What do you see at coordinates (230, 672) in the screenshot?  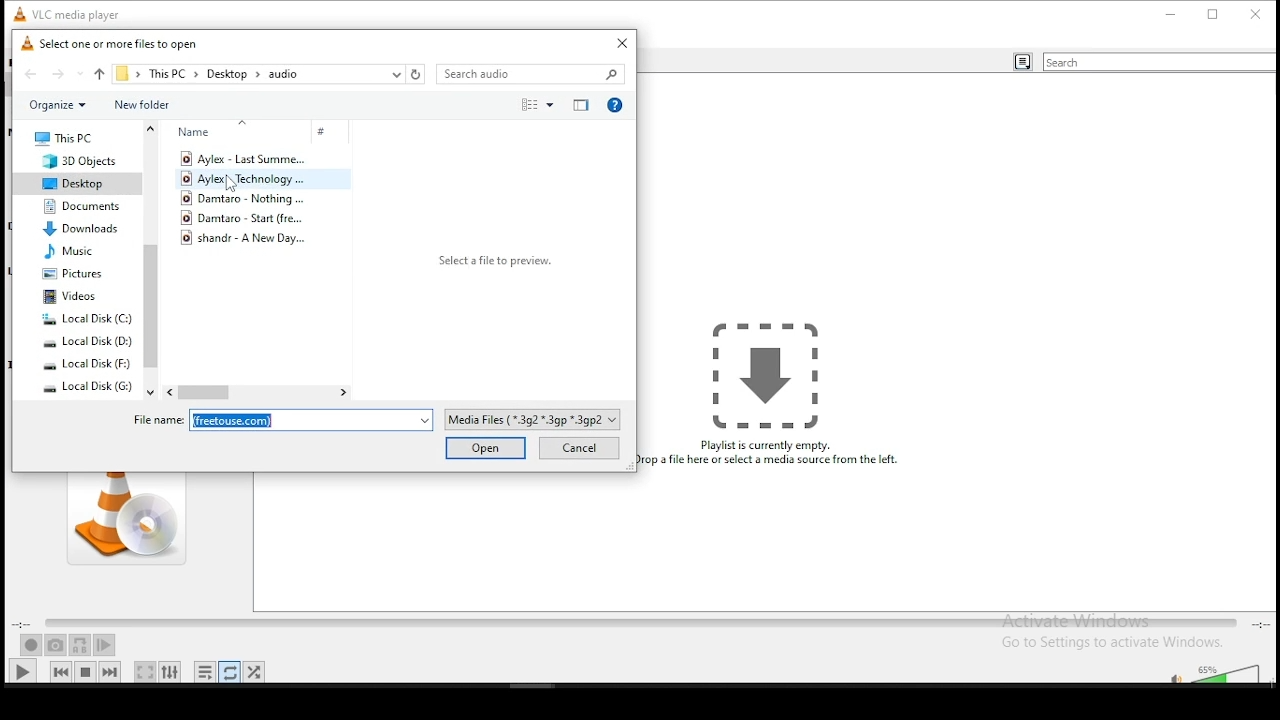 I see `click to toggle between loop al, loop one, and no loop` at bounding box center [230, 672].